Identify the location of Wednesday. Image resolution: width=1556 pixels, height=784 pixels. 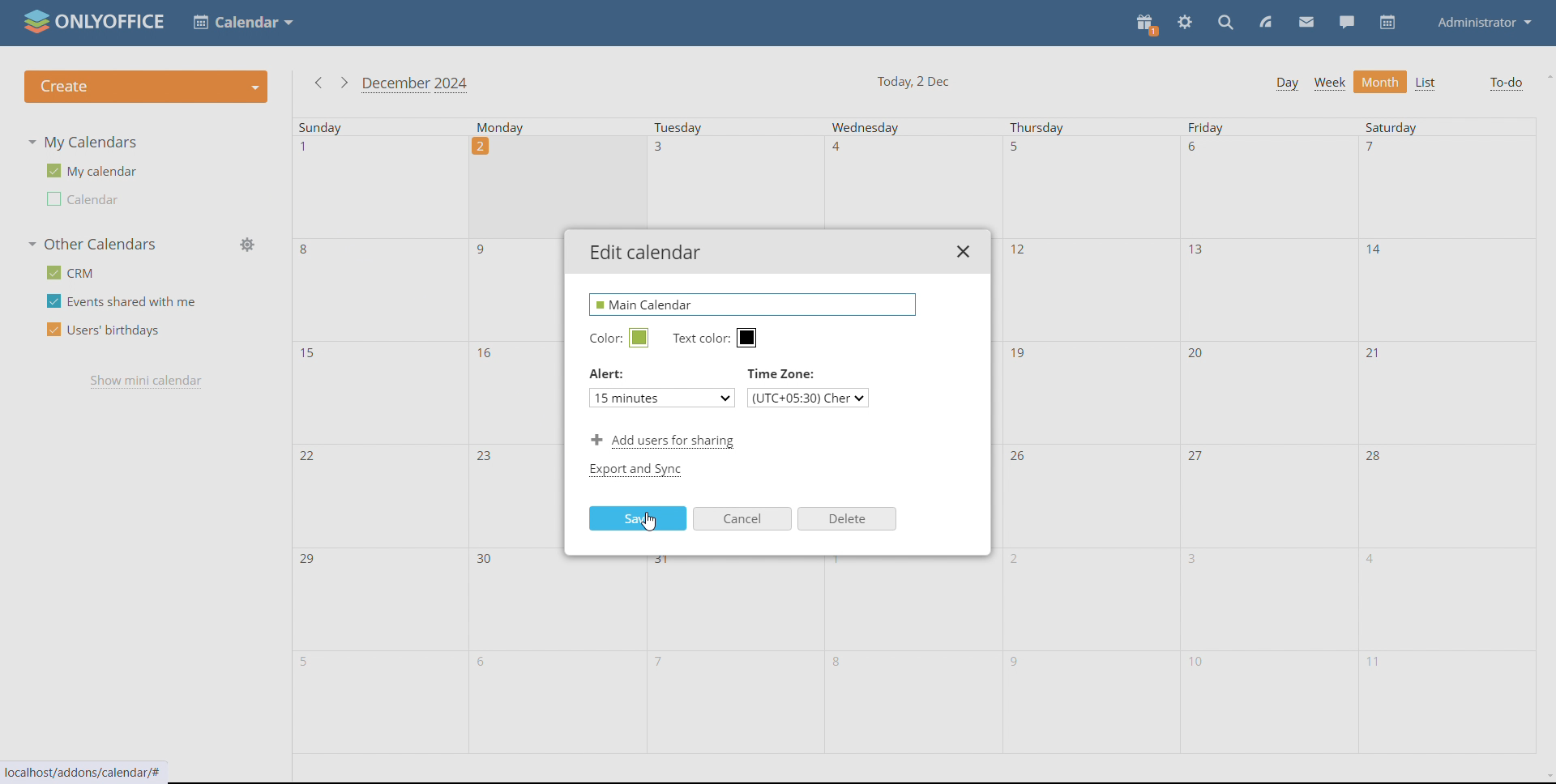
(910, 126).